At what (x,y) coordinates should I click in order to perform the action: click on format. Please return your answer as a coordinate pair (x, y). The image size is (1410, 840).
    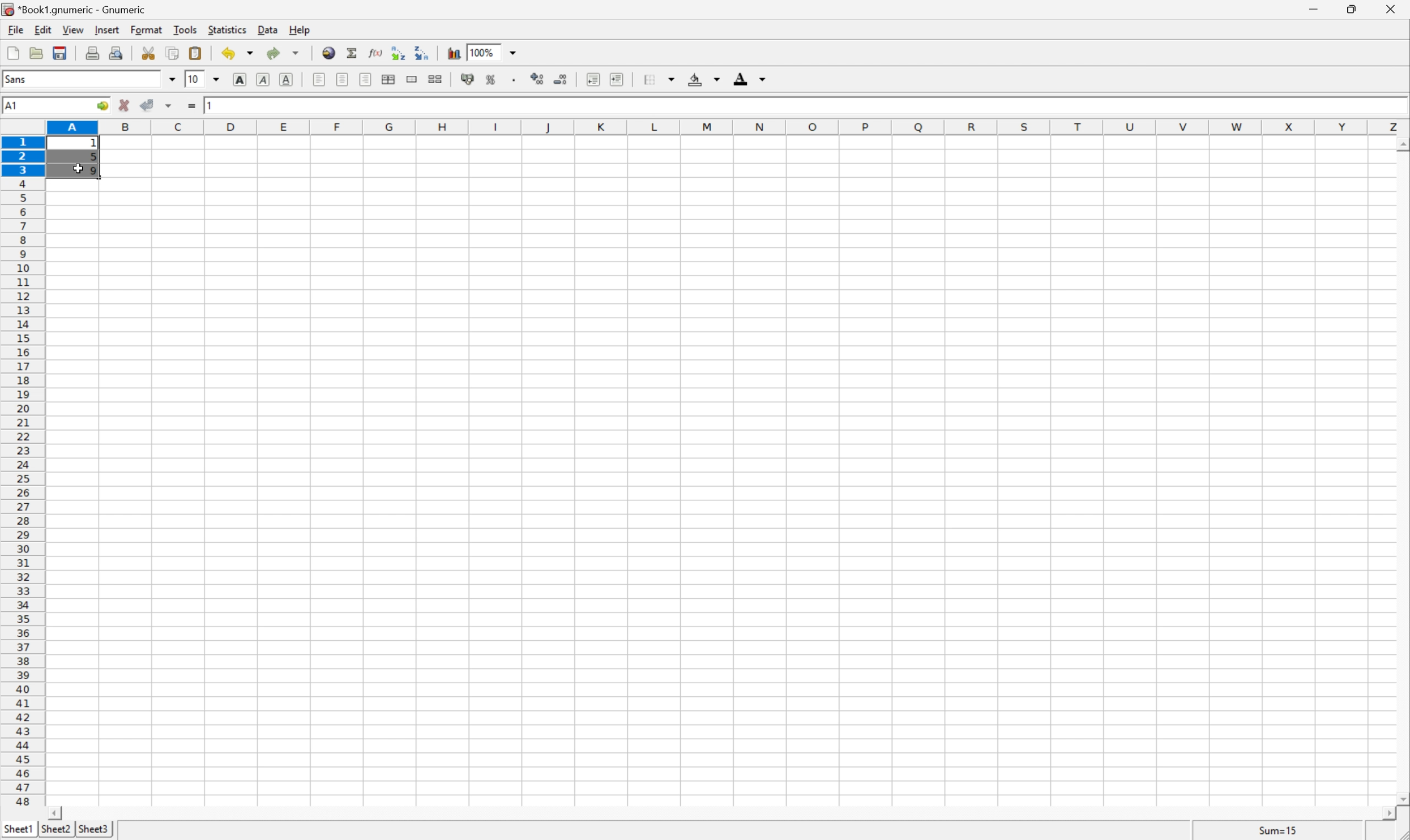
    Looking at the image, I should click on (148, 29).